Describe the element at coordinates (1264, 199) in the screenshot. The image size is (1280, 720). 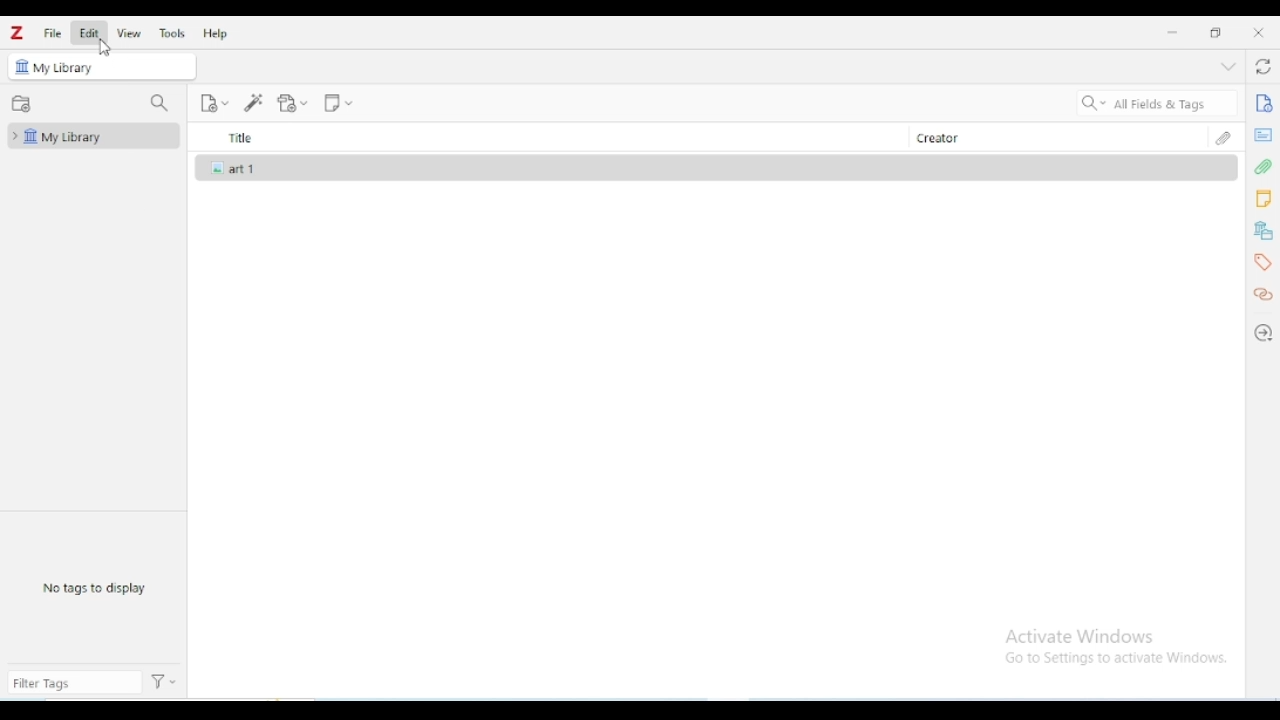
I see `notes` at that location.